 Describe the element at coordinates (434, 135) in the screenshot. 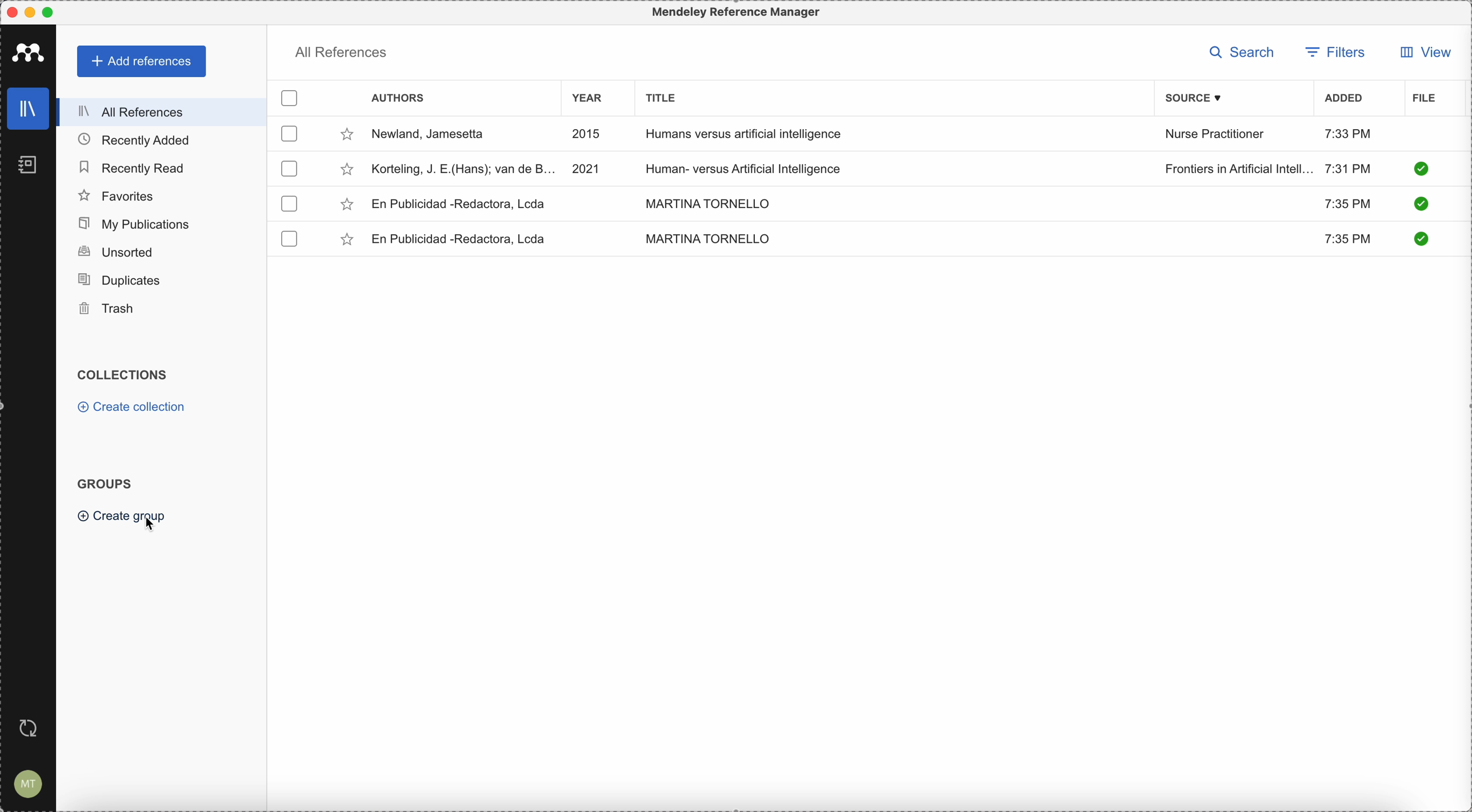

I see `Newland, Jamesetta` at that location.